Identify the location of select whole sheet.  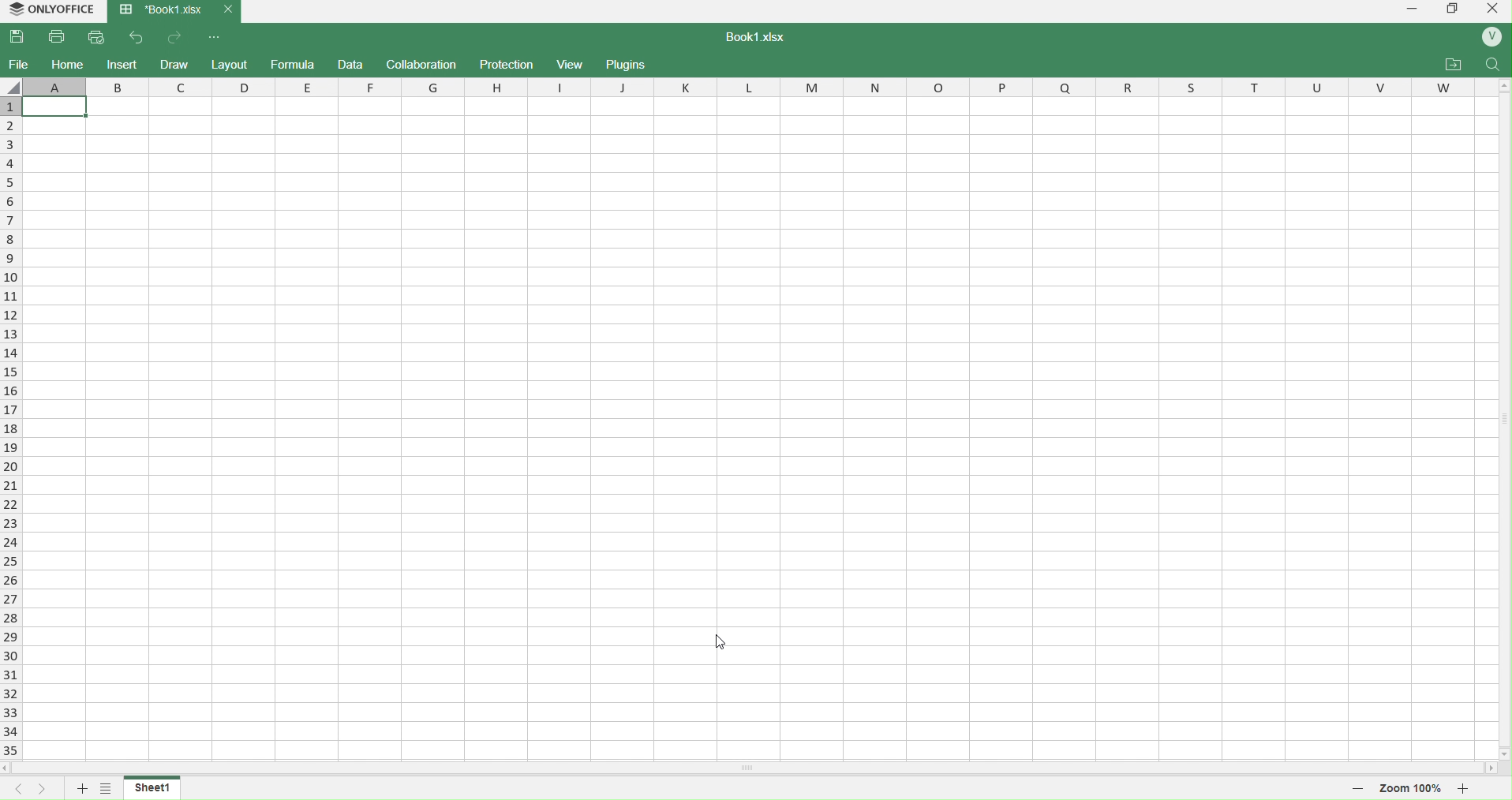
(13, 86).